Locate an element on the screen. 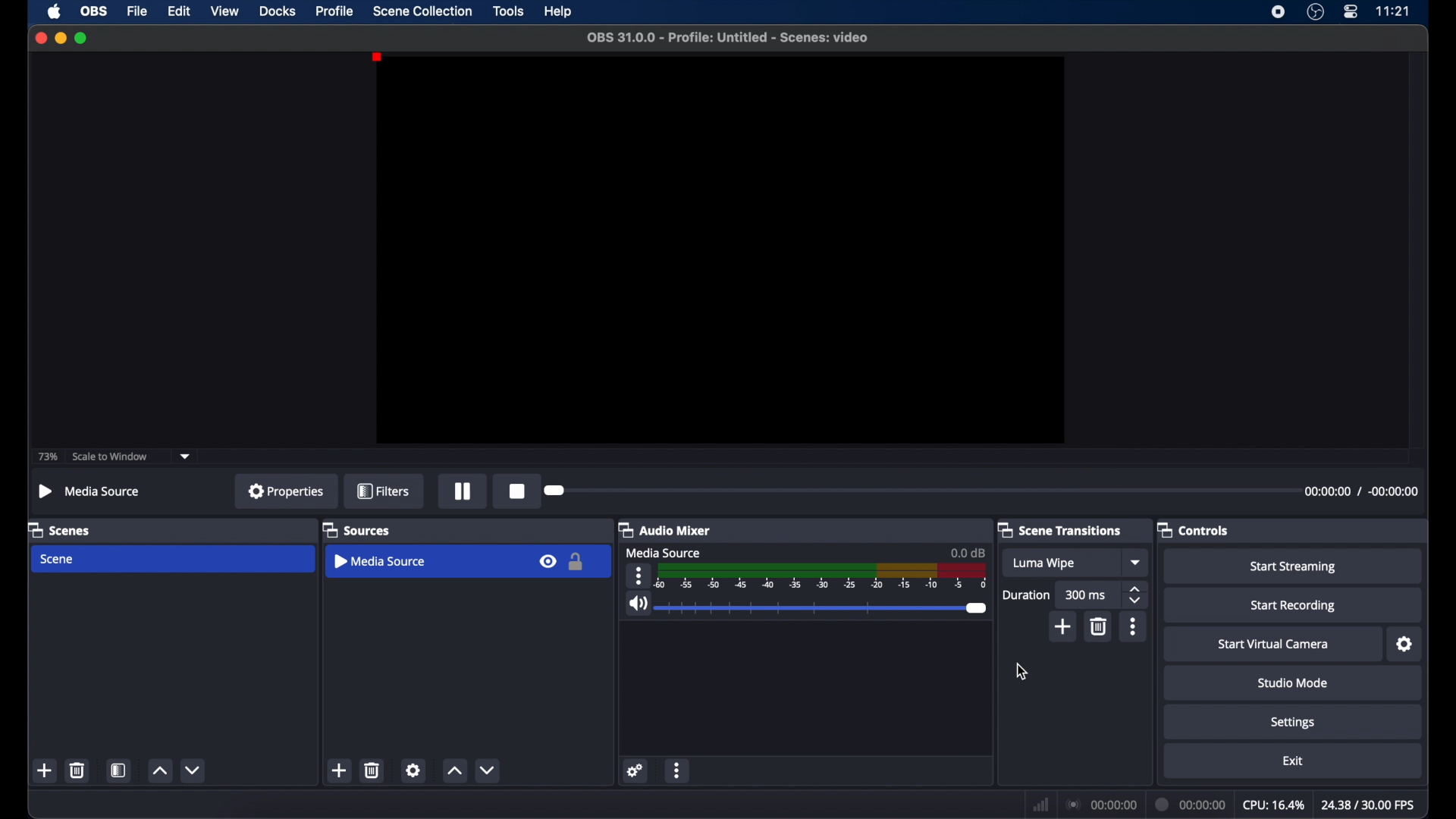 This screenshot has height=819, width=1456. sources is located at coordinates (356, 531).